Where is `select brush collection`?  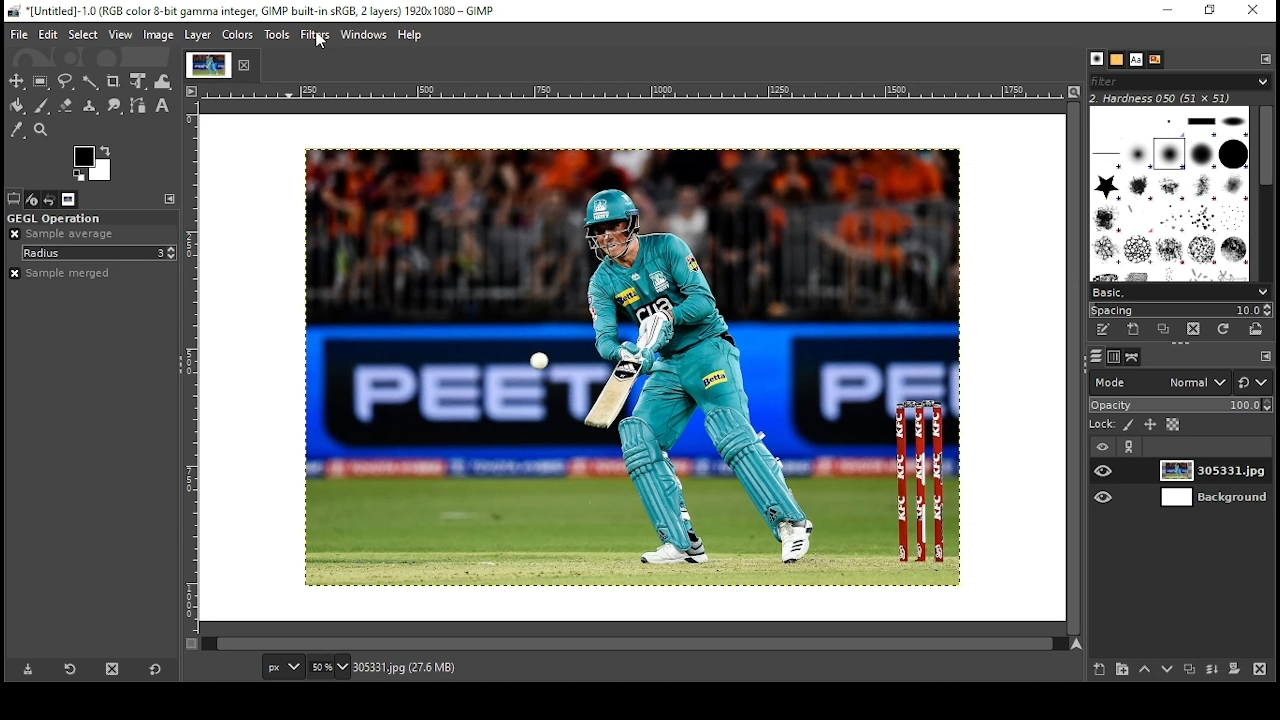 select brush collection is located at coordinates (1178, 292).